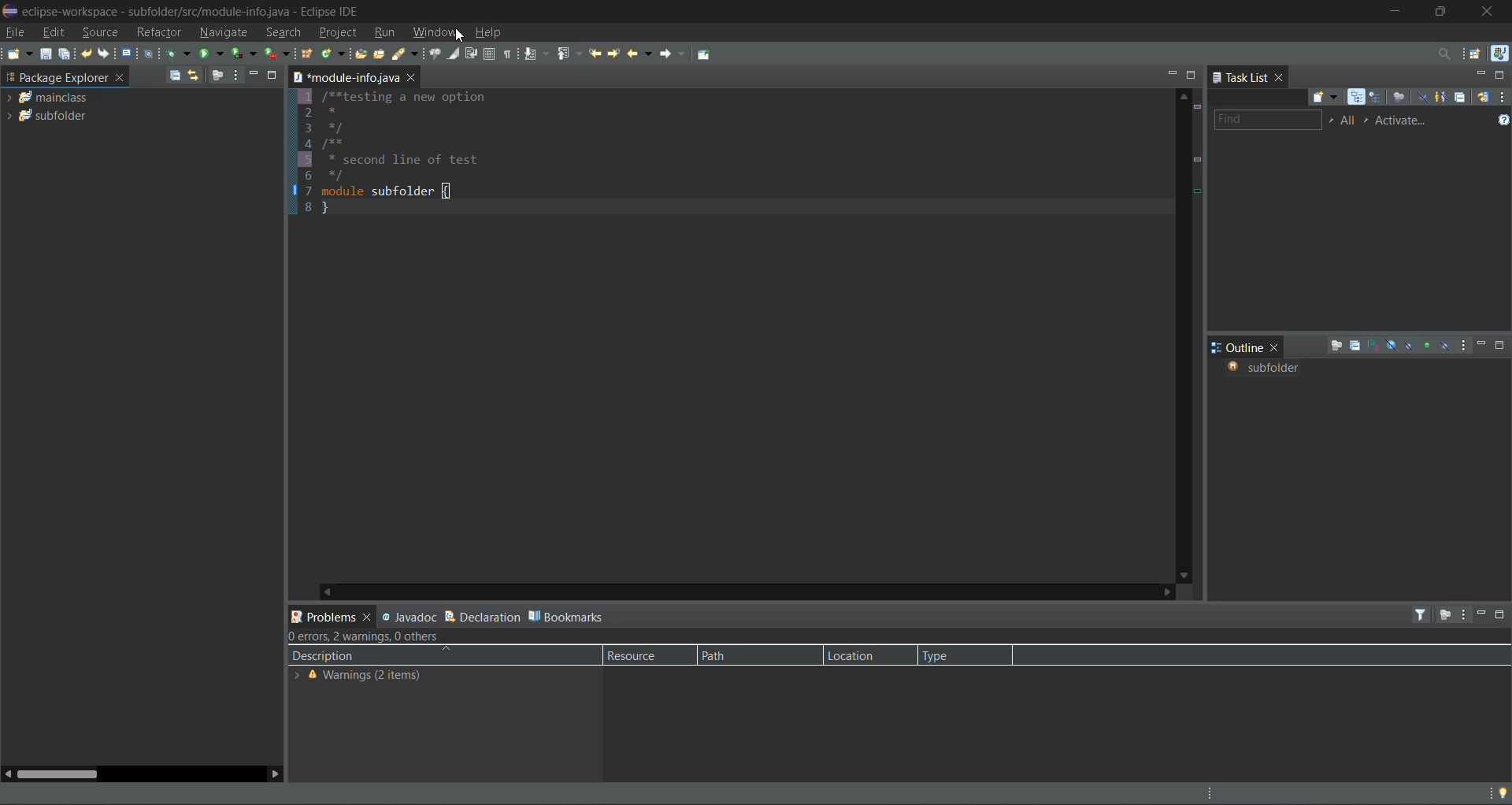 The height and width of the screenshot is (805, 1512). I want to click on close, so click(1283, 78).